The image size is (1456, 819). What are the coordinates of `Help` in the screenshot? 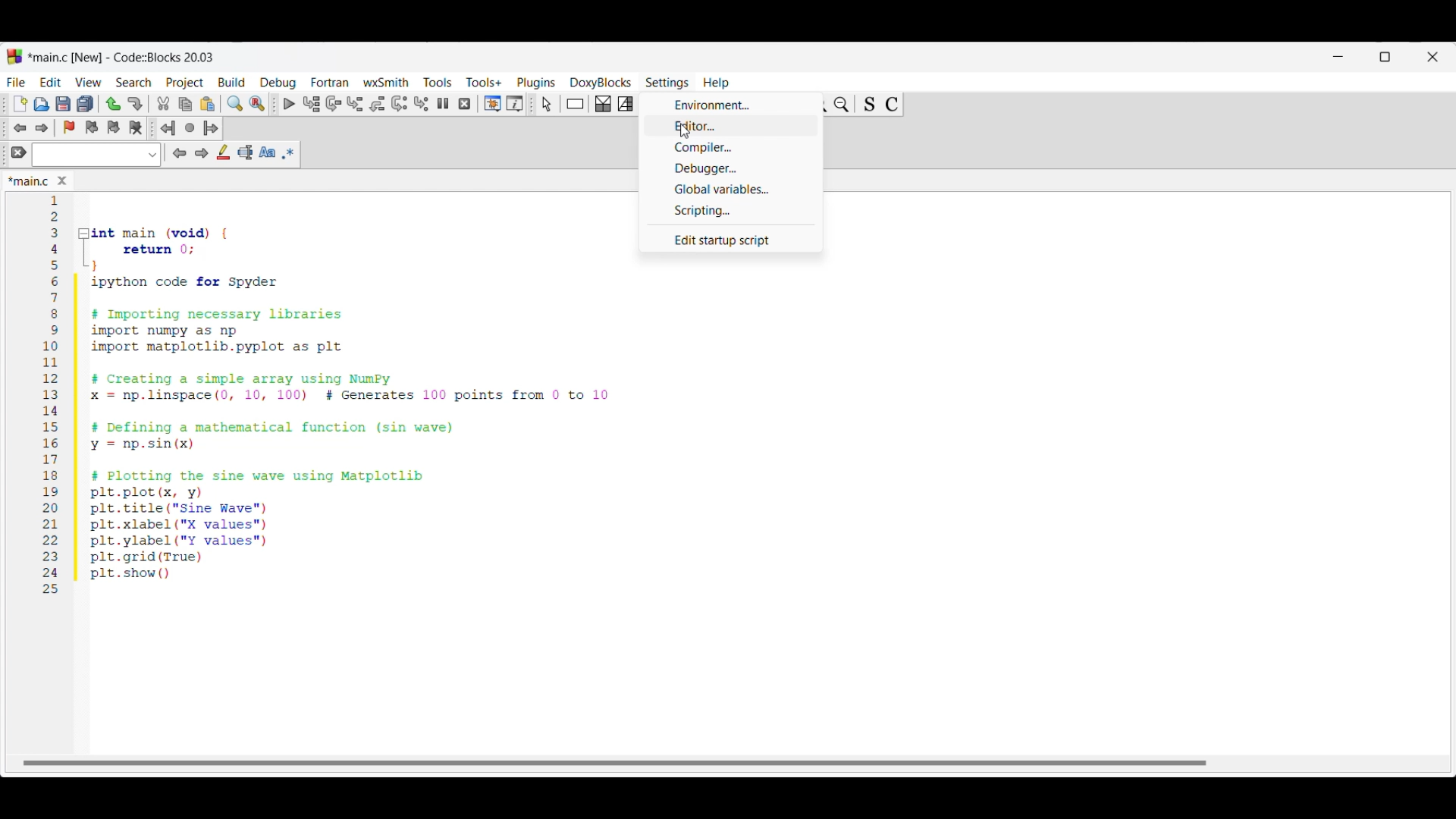 It's located at (721, 80).